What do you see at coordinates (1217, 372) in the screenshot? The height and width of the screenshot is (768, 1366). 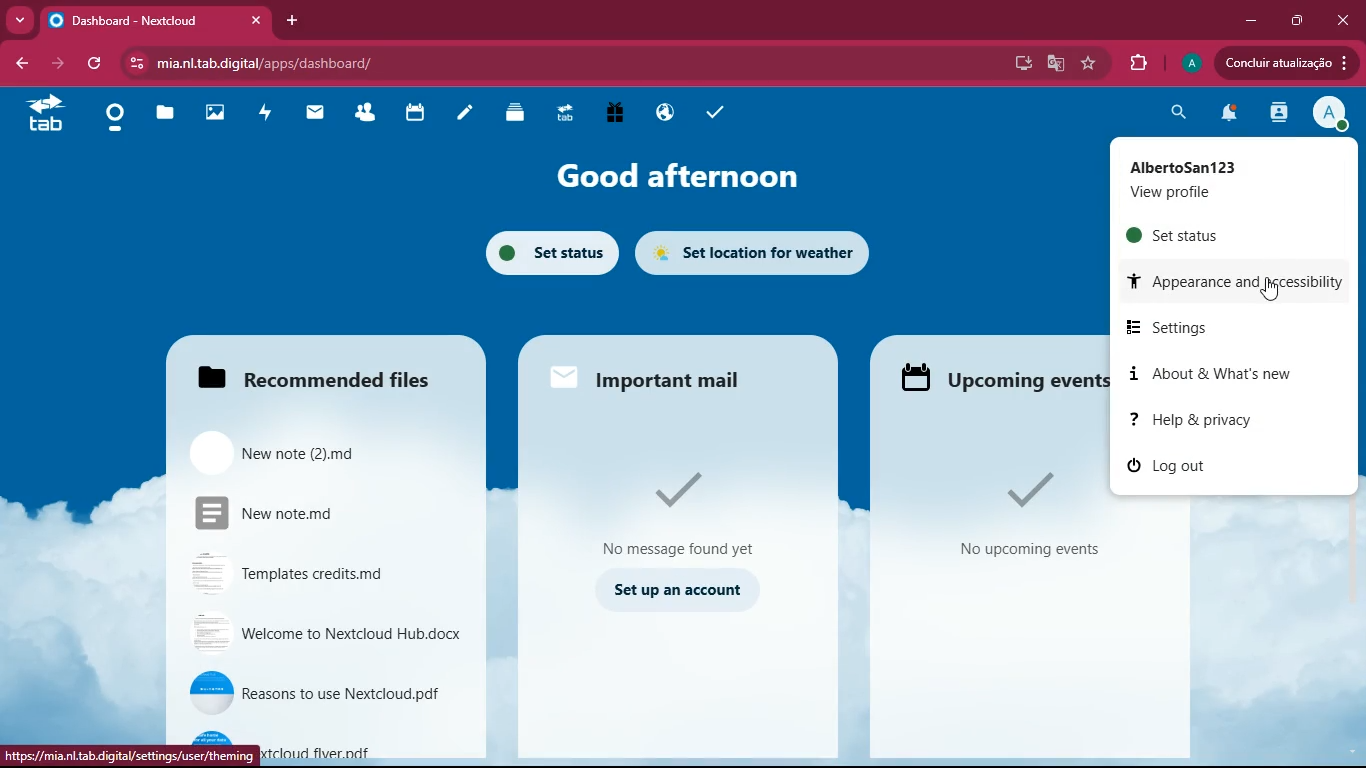 I see `about & what's new` at bounding box center [1217, 372].